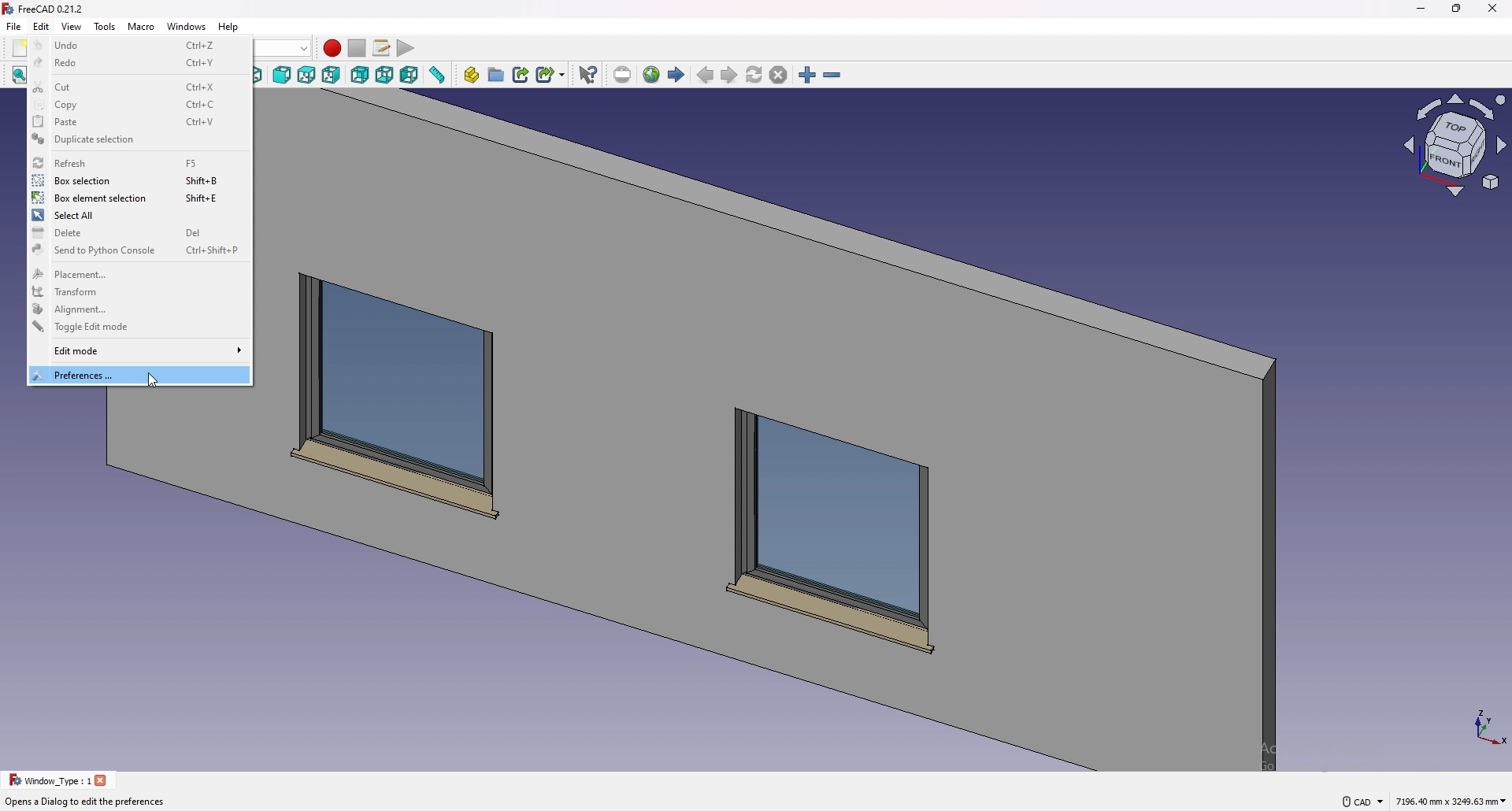 The image size is (1512, 811). I want to click on FreeCAD 0.21.2, so click(55, 9).